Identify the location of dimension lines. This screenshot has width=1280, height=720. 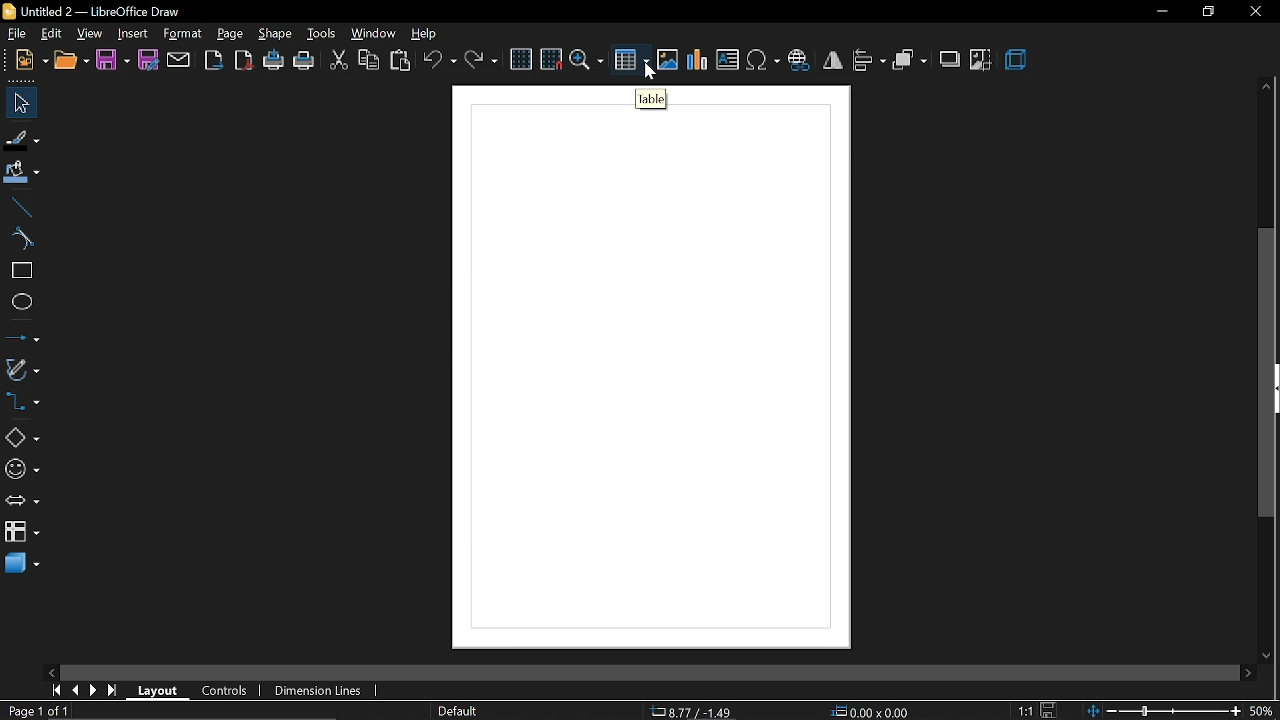
(321, 689).